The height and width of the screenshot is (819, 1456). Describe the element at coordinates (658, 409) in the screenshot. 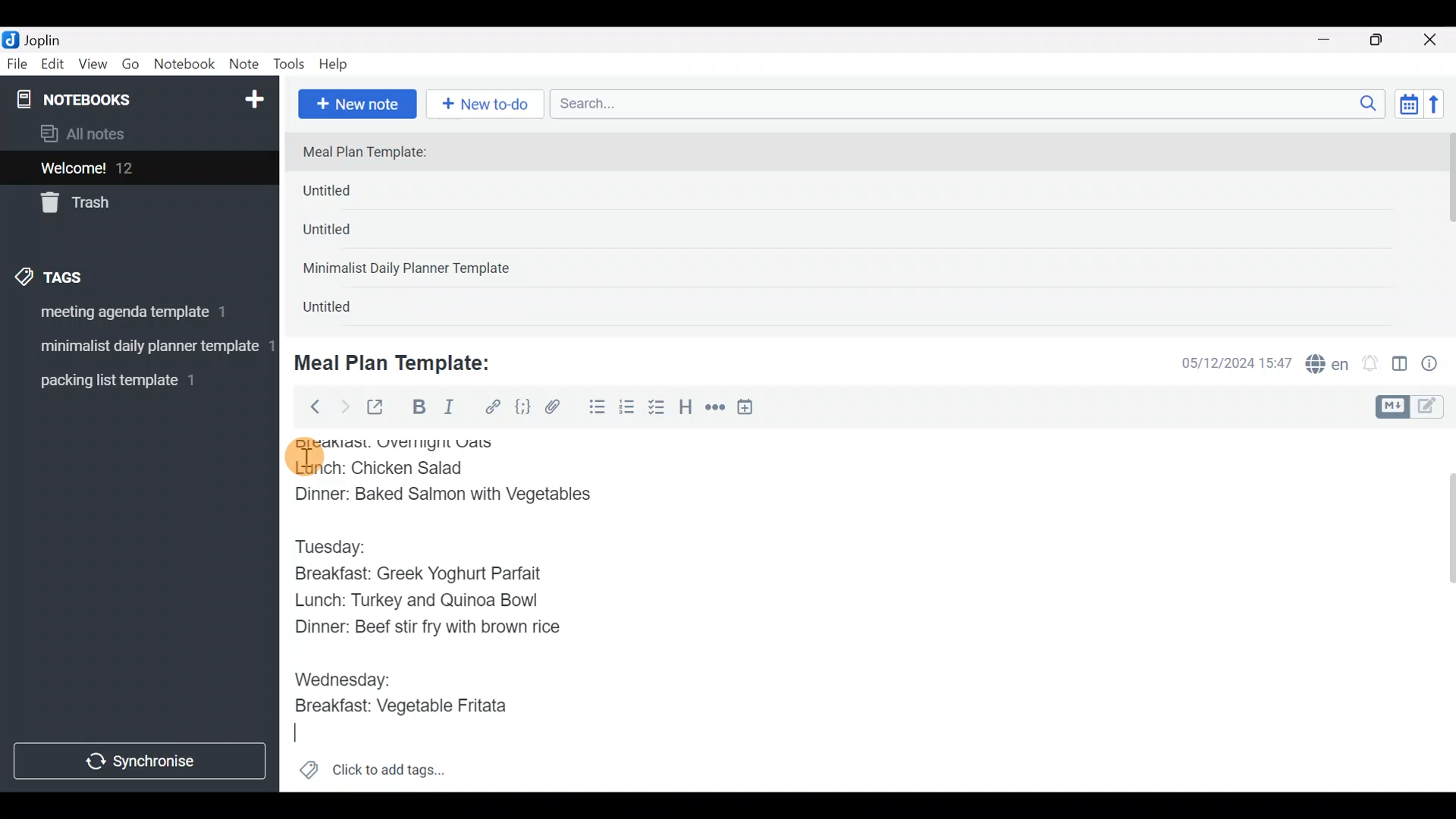

I see `Checkbox` at that location.